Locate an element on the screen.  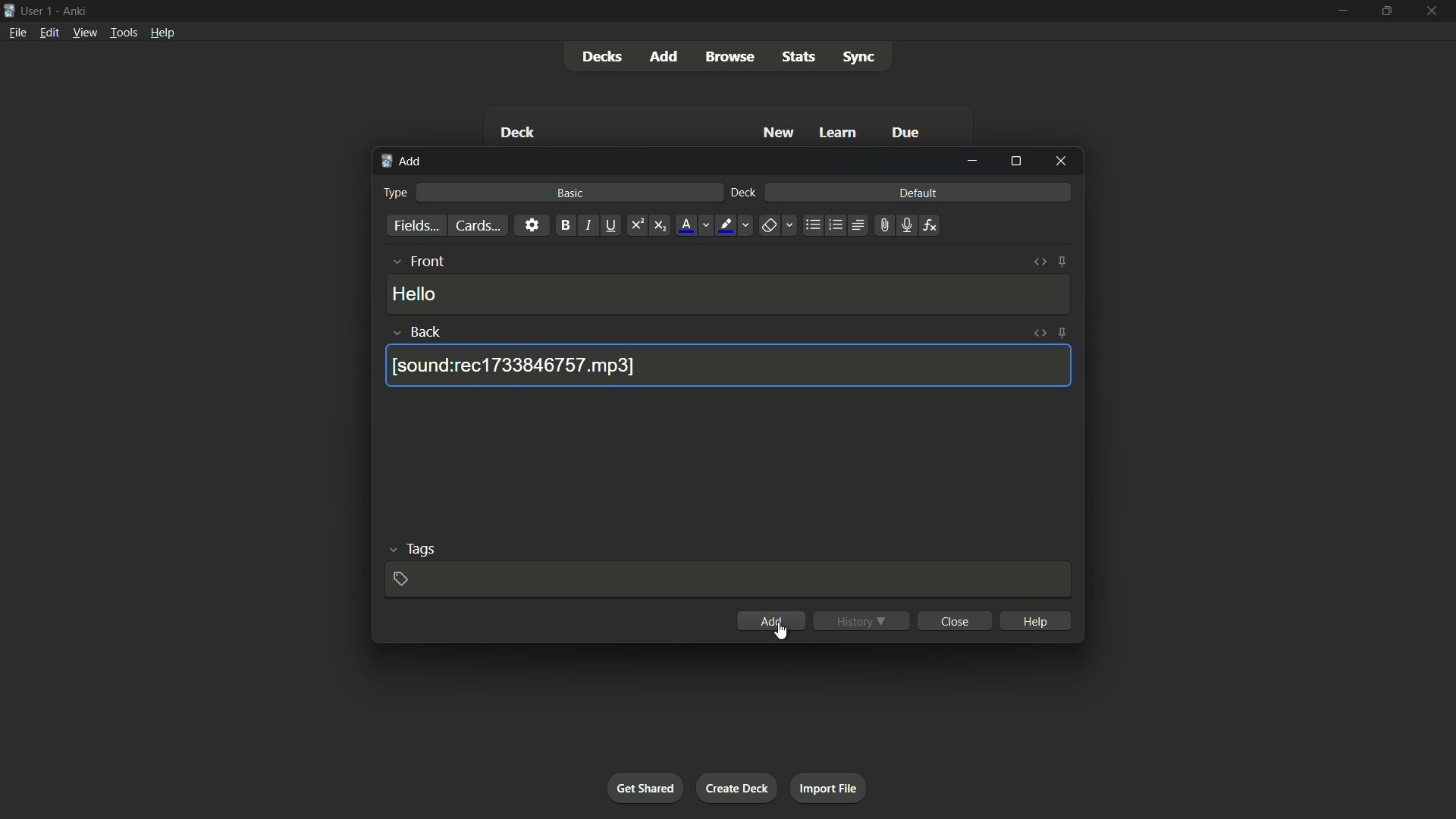
subscript is located at coordinates (660, 225).